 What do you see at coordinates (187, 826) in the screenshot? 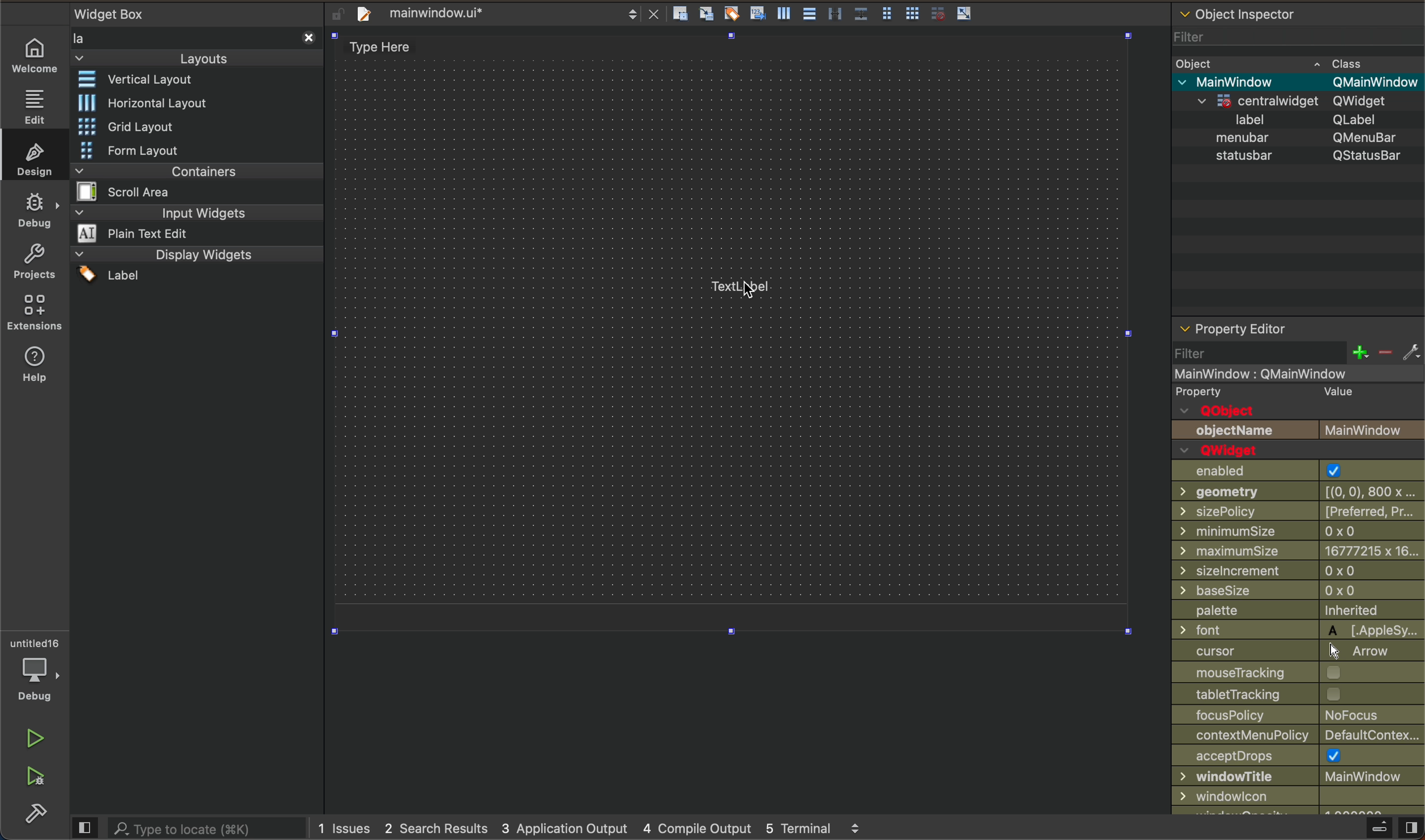
I see `search` at bounding box center [187, 826].